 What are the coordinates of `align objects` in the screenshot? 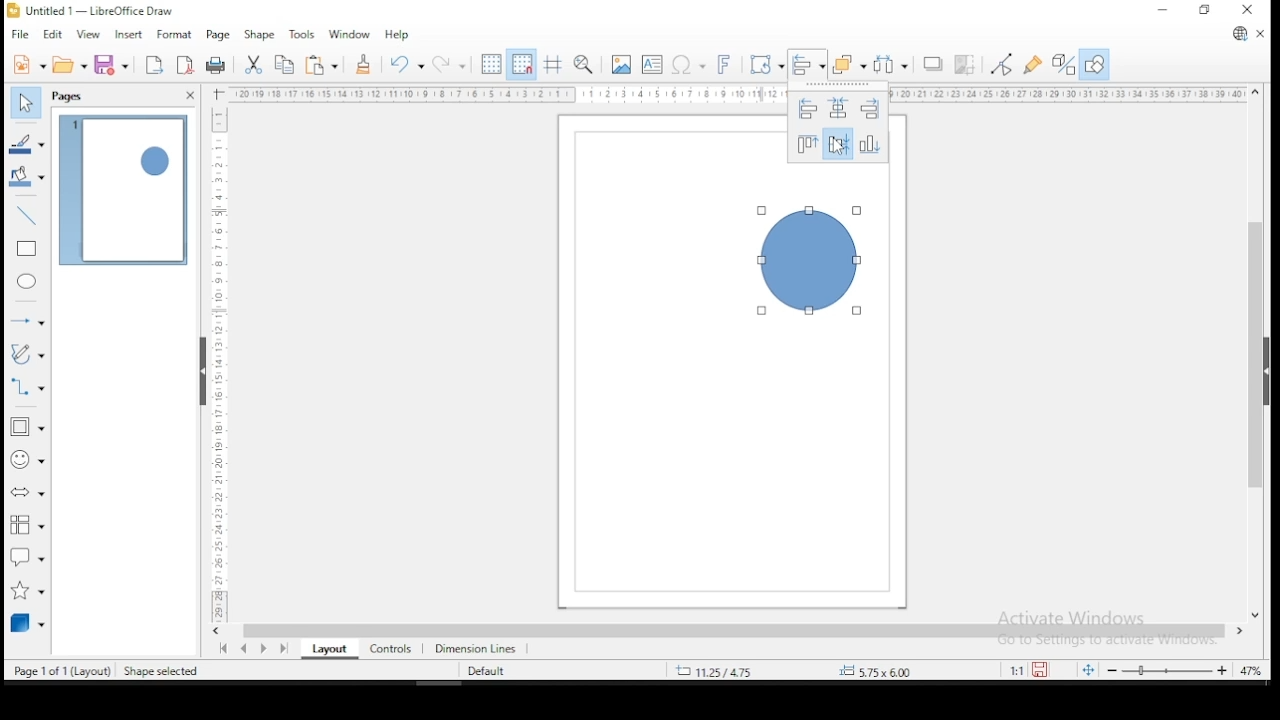 It's located at (806, 65).